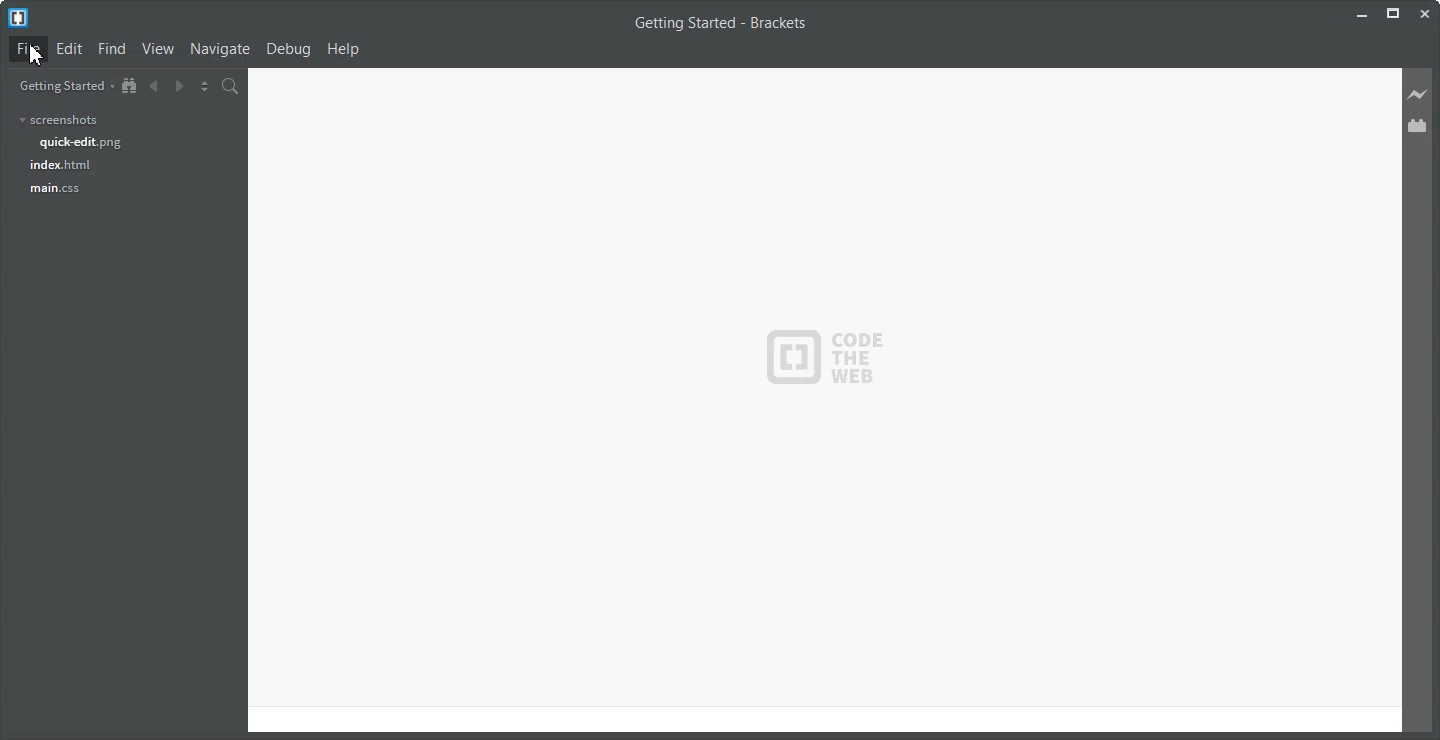 This screenshot has height=740, width=1440. Describe the element at coordinates (1364, 15) in the screenshot. I see `Minimize` at that location.